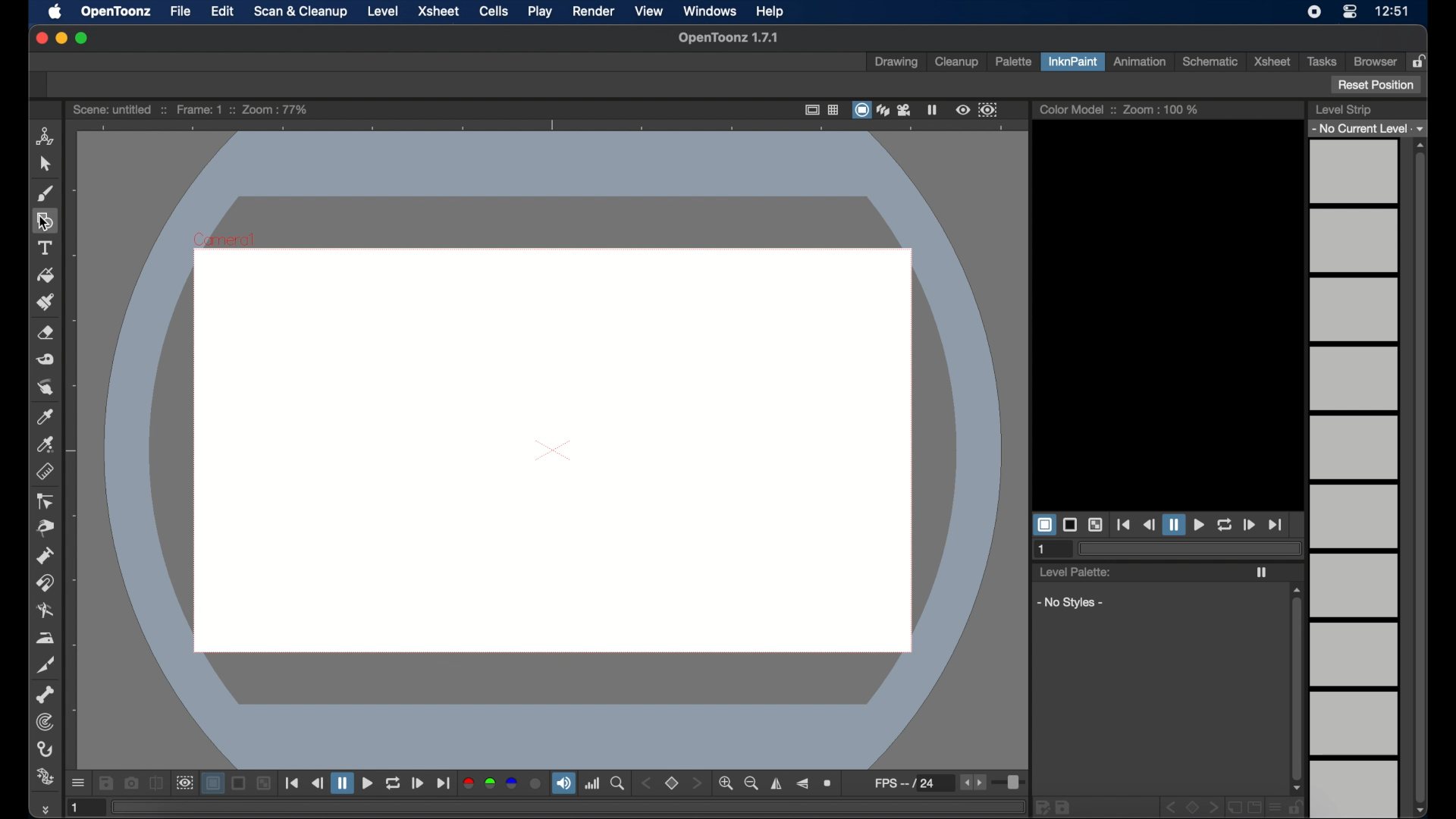 This screenshot has width=1456, height=819. I want to click on animation, so click(1141, 61).